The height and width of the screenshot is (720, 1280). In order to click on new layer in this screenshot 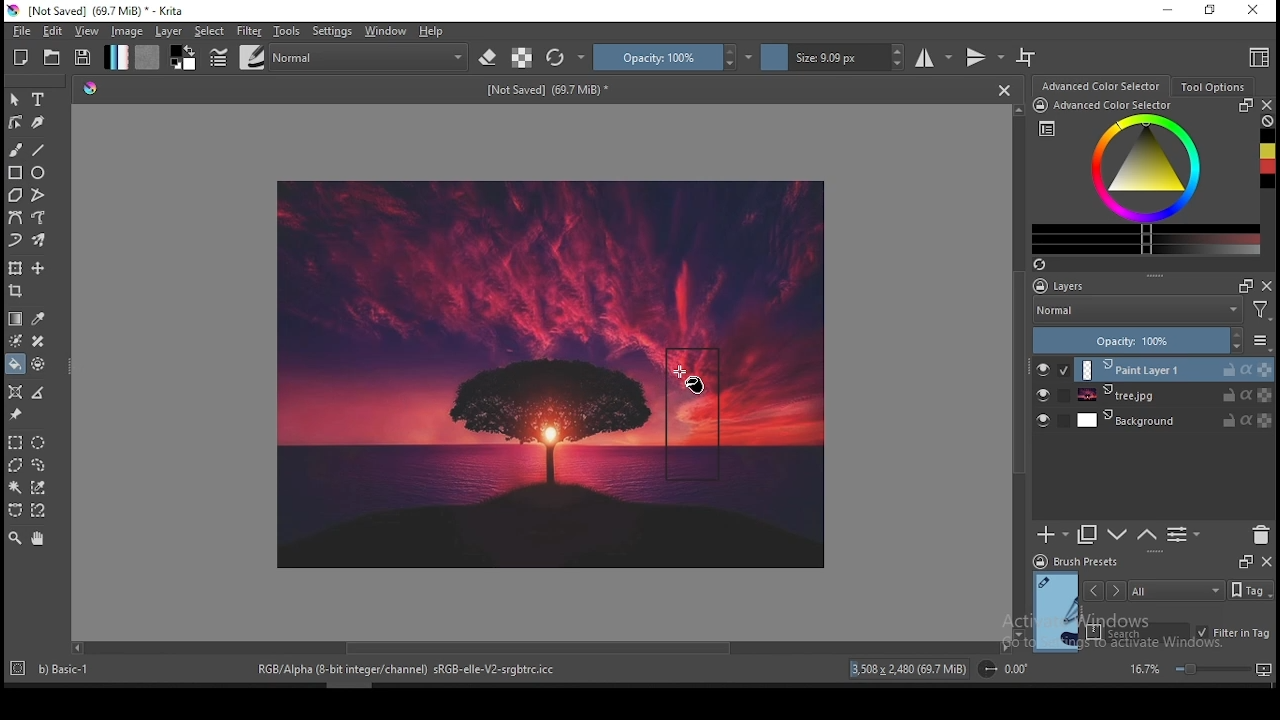, I will do `click(1053, 536)`.